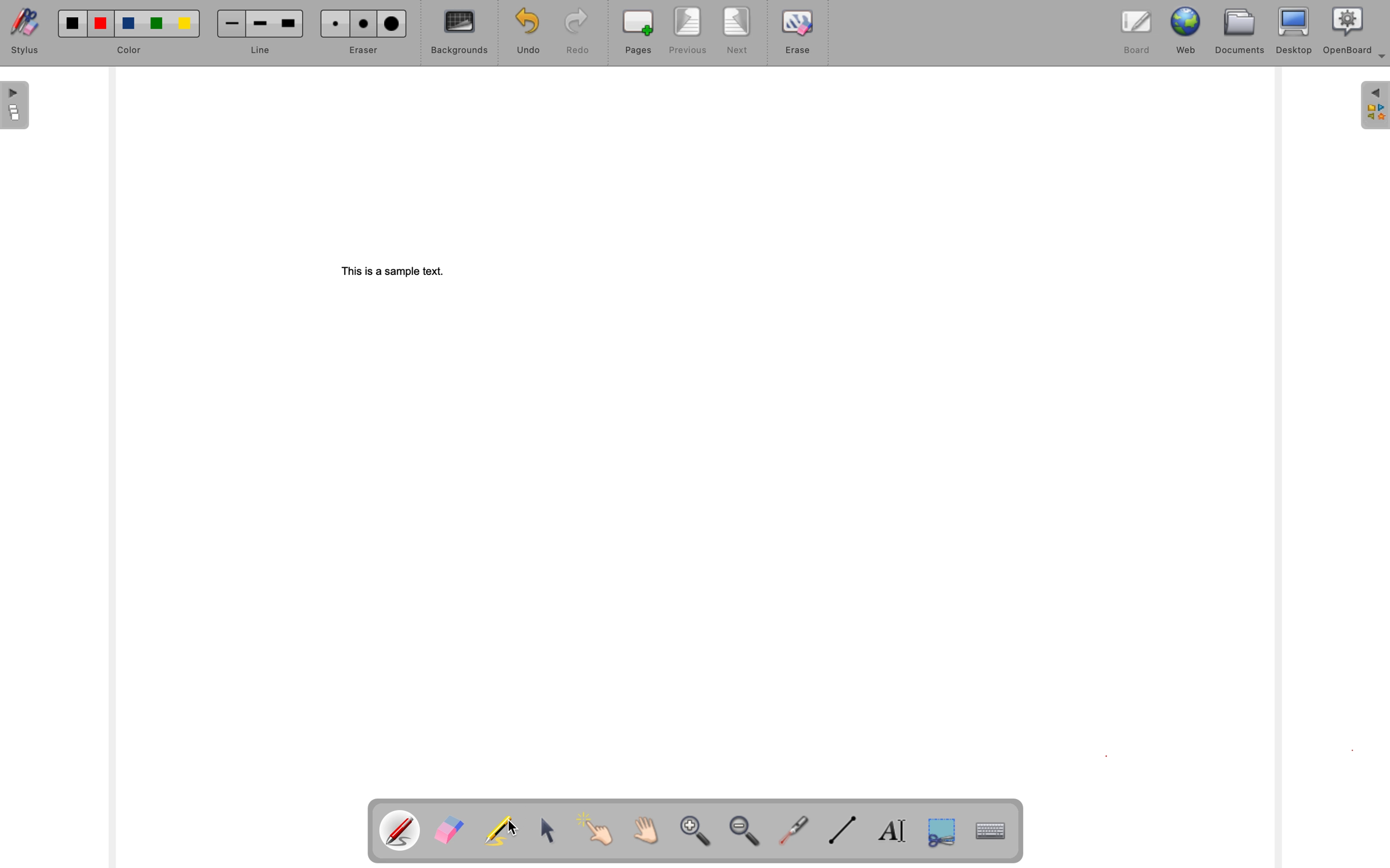 The image size is (1390, 868). What do you see at coordinates (796, 832) in the screenshot?
I see `visual laser pointer` at bounding box center [796, 832].